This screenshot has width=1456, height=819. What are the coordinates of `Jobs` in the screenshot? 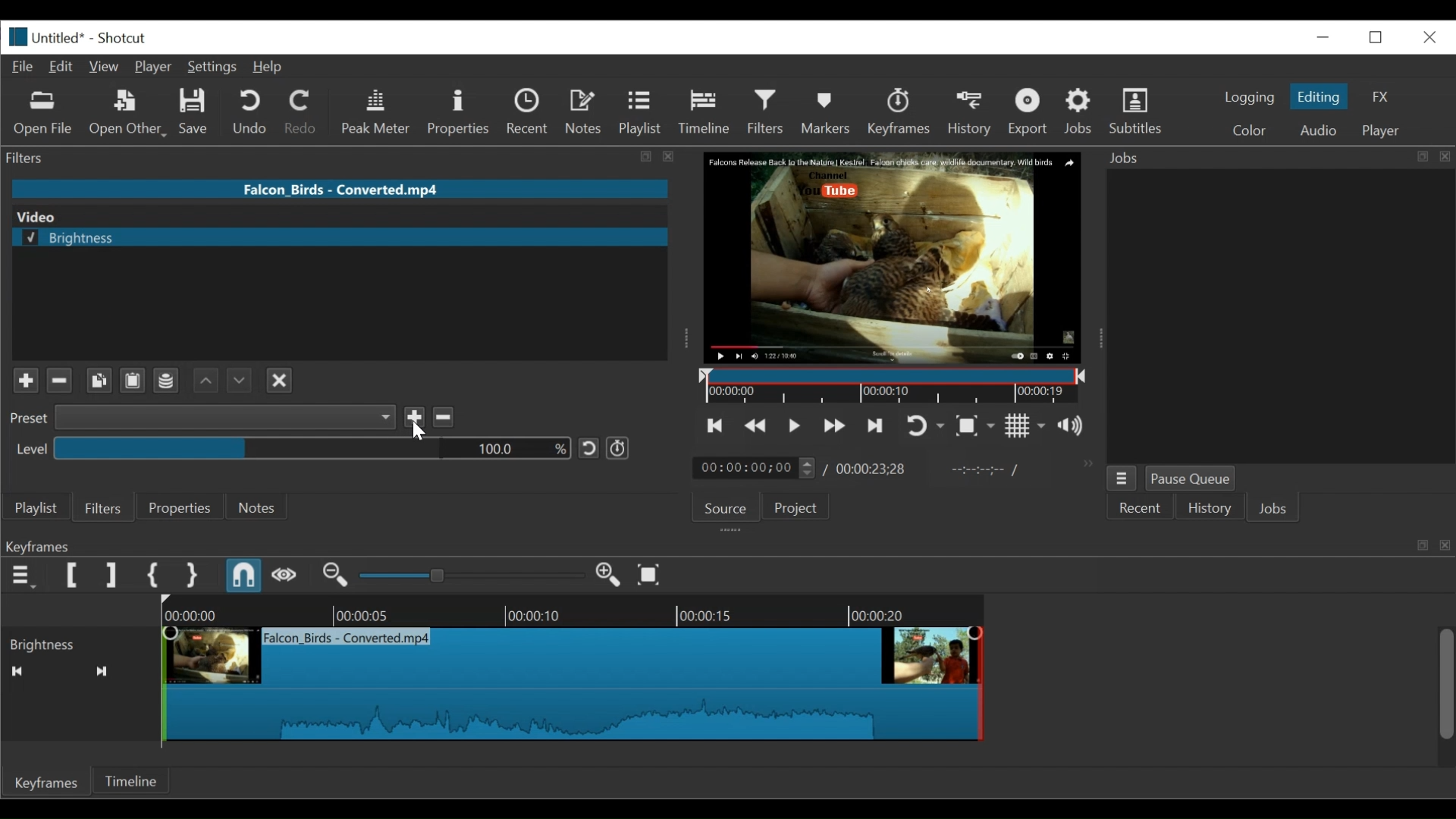 It's located at (1079, 113).